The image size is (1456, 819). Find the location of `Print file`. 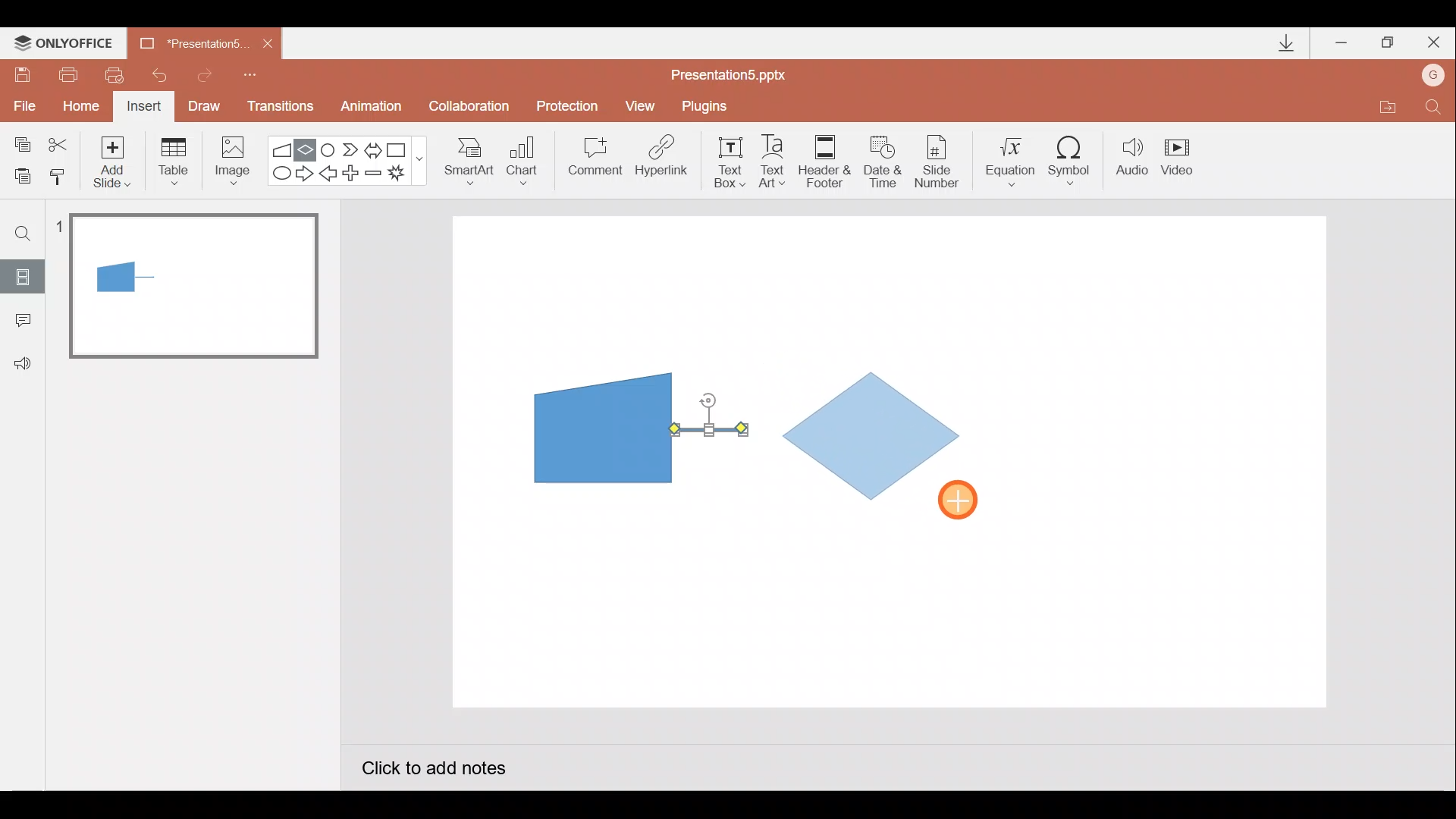

Print file is located at coordinates (65, 74).